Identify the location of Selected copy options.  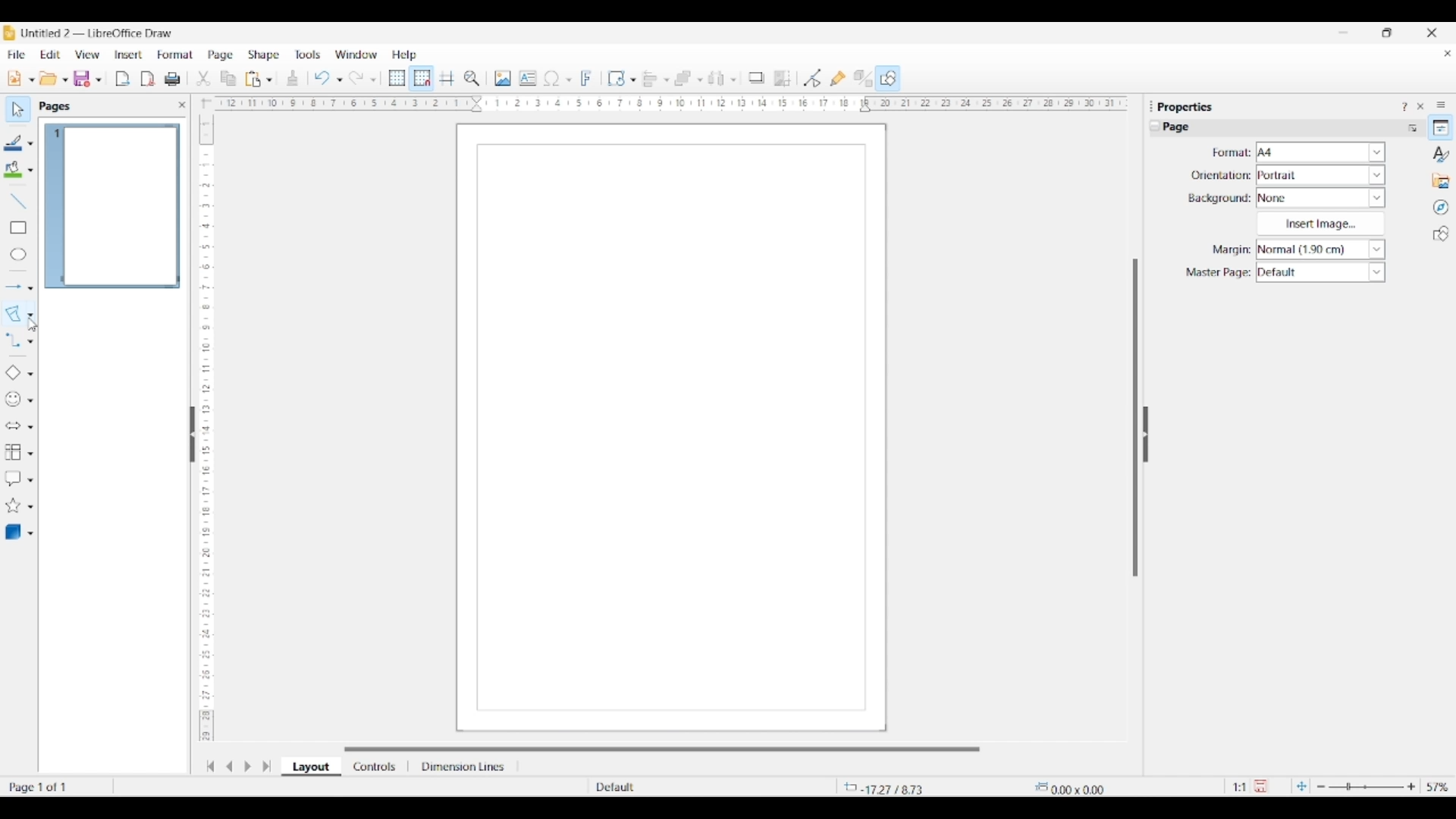
(228, 79).